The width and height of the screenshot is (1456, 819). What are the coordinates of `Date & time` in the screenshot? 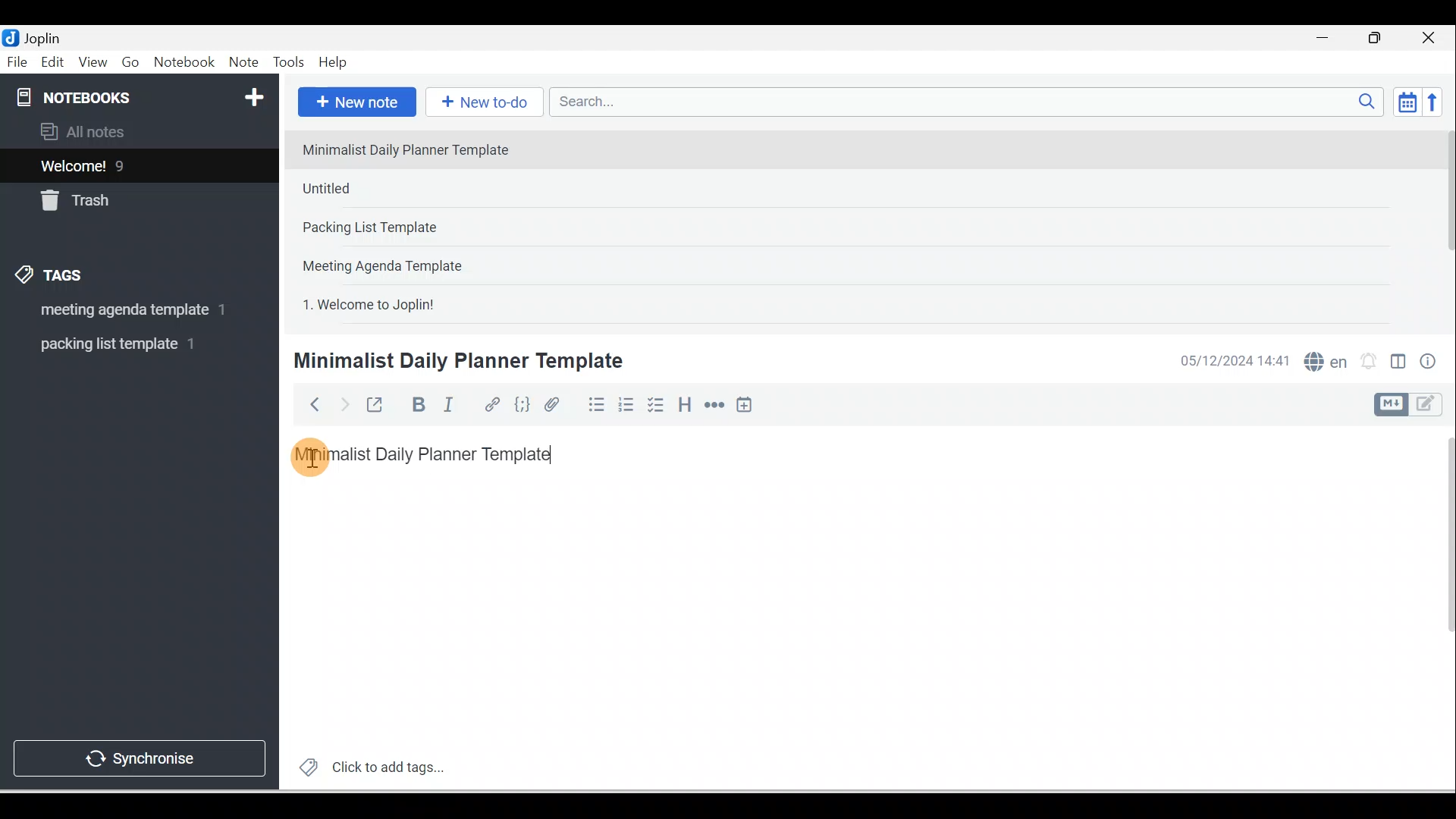 It's located at (1232, 361).